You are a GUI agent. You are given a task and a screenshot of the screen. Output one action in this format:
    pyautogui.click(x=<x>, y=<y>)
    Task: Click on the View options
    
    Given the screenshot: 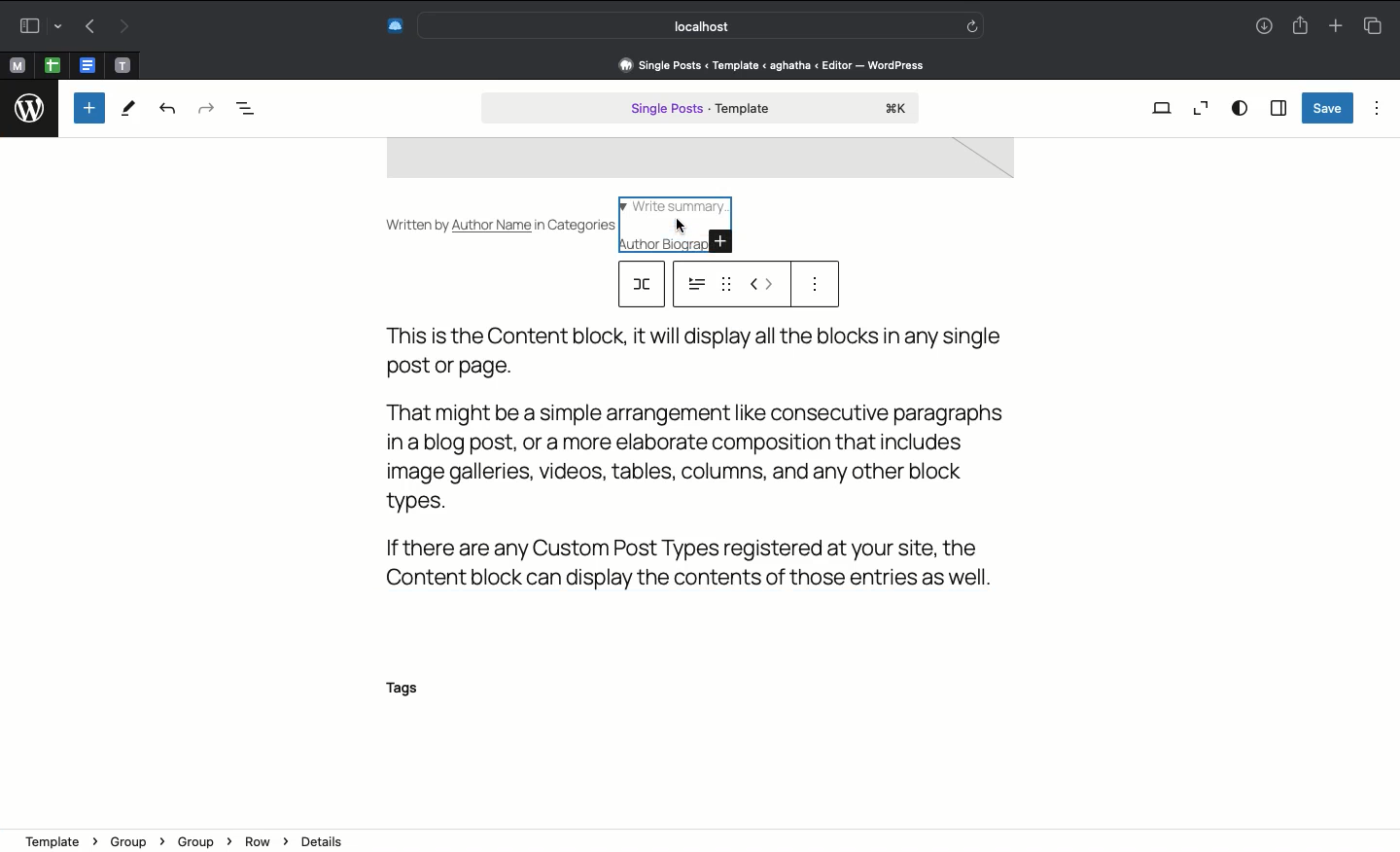 What is the action you would take?
    pyautogui.click(x=1240, y=107)
    